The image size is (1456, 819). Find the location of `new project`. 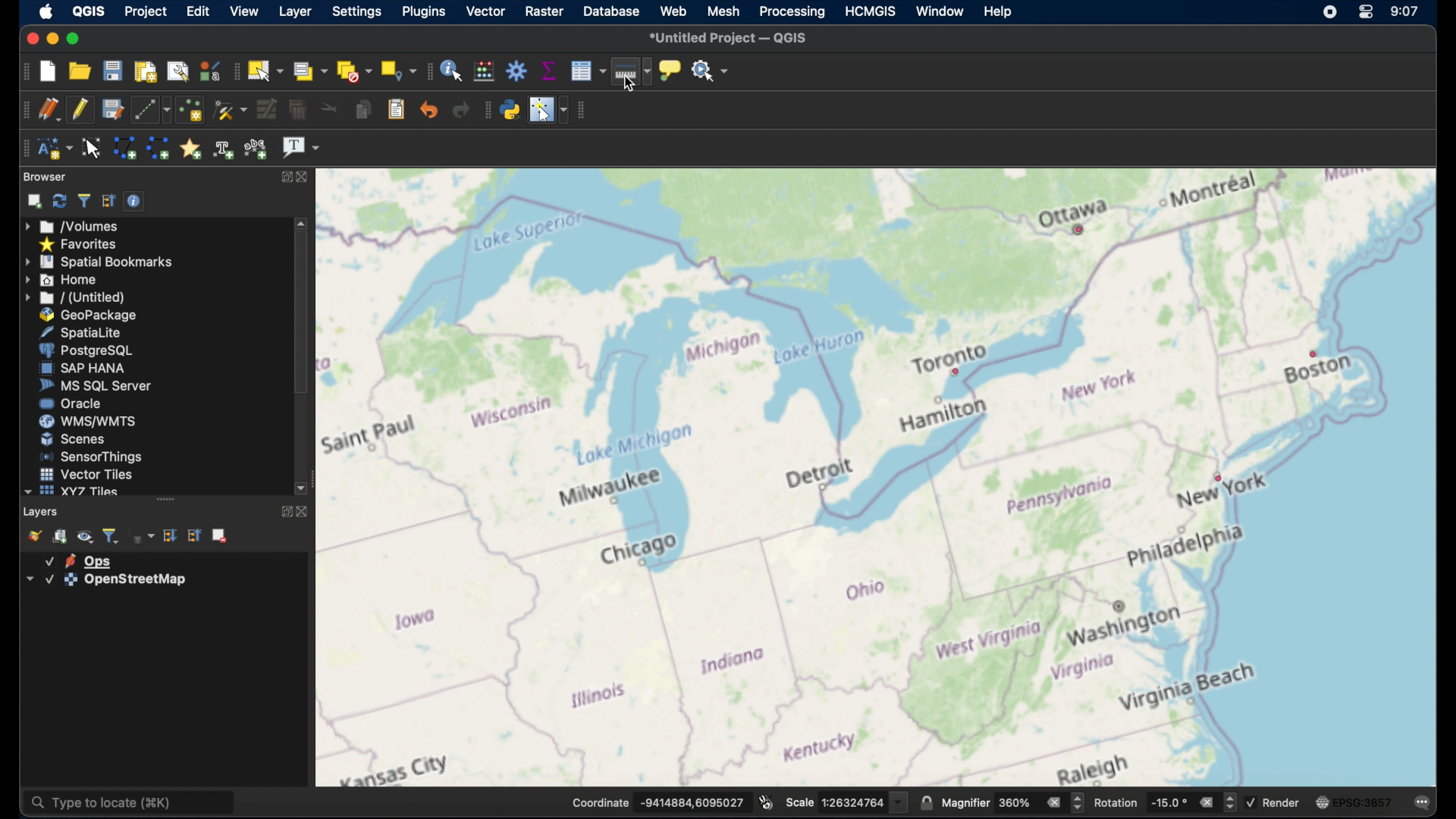

new project is located at coordinates (49, 70).